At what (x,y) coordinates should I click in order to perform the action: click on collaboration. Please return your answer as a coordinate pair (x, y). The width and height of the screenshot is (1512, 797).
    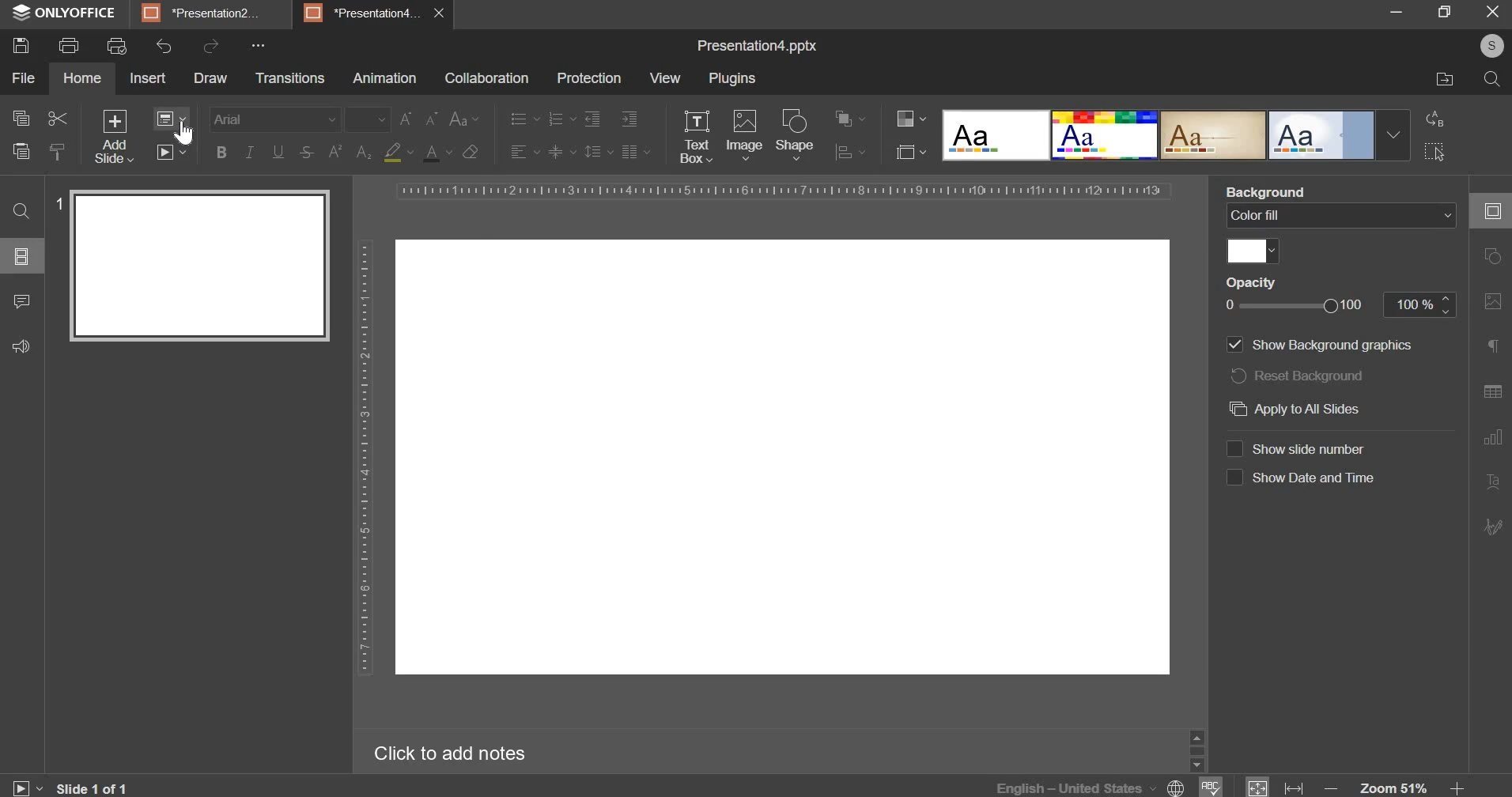
    Looking at the image, I should click on (486, 80).